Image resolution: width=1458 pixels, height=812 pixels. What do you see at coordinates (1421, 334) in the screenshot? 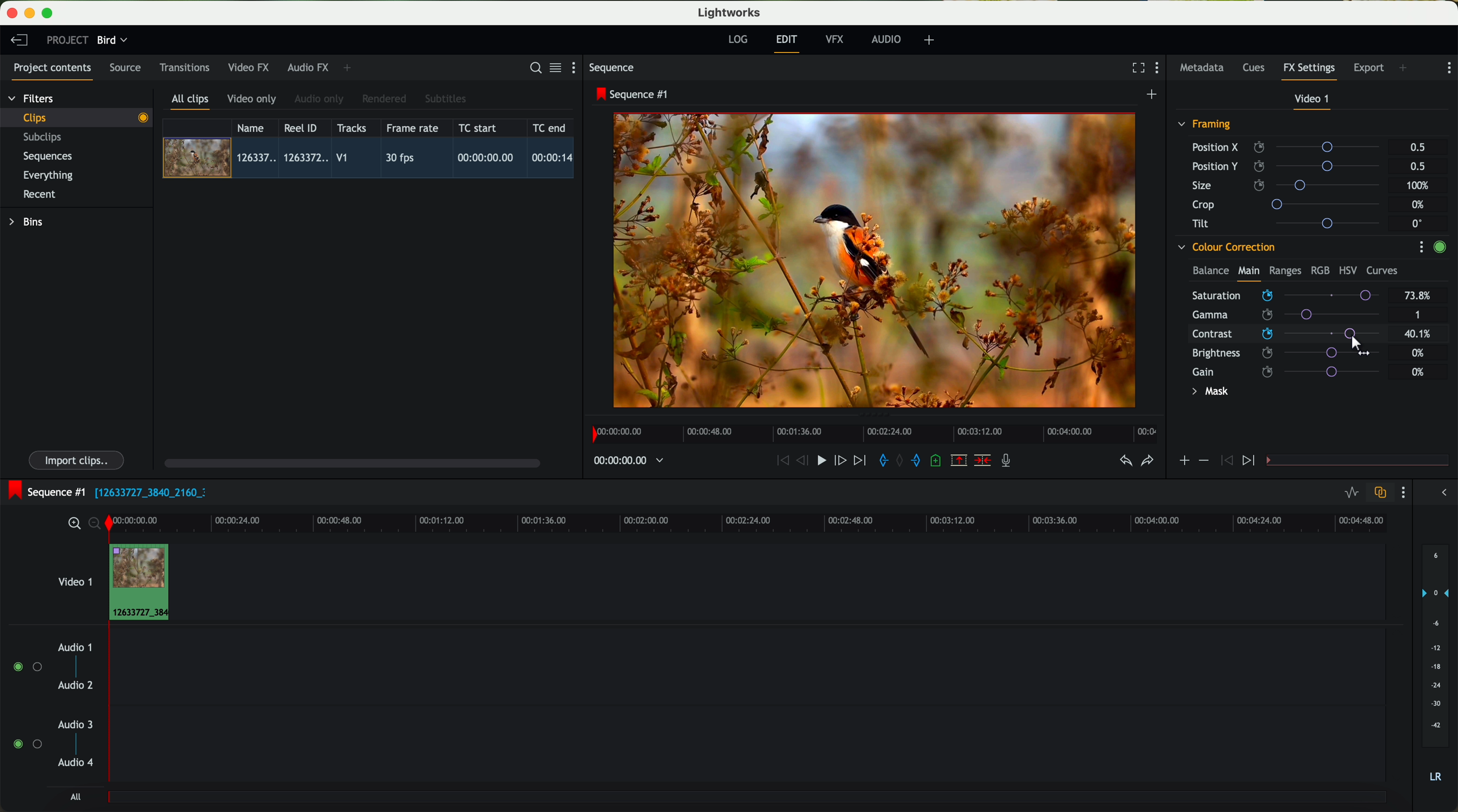
I see `40.1%` at bounding box center [1421, 334].